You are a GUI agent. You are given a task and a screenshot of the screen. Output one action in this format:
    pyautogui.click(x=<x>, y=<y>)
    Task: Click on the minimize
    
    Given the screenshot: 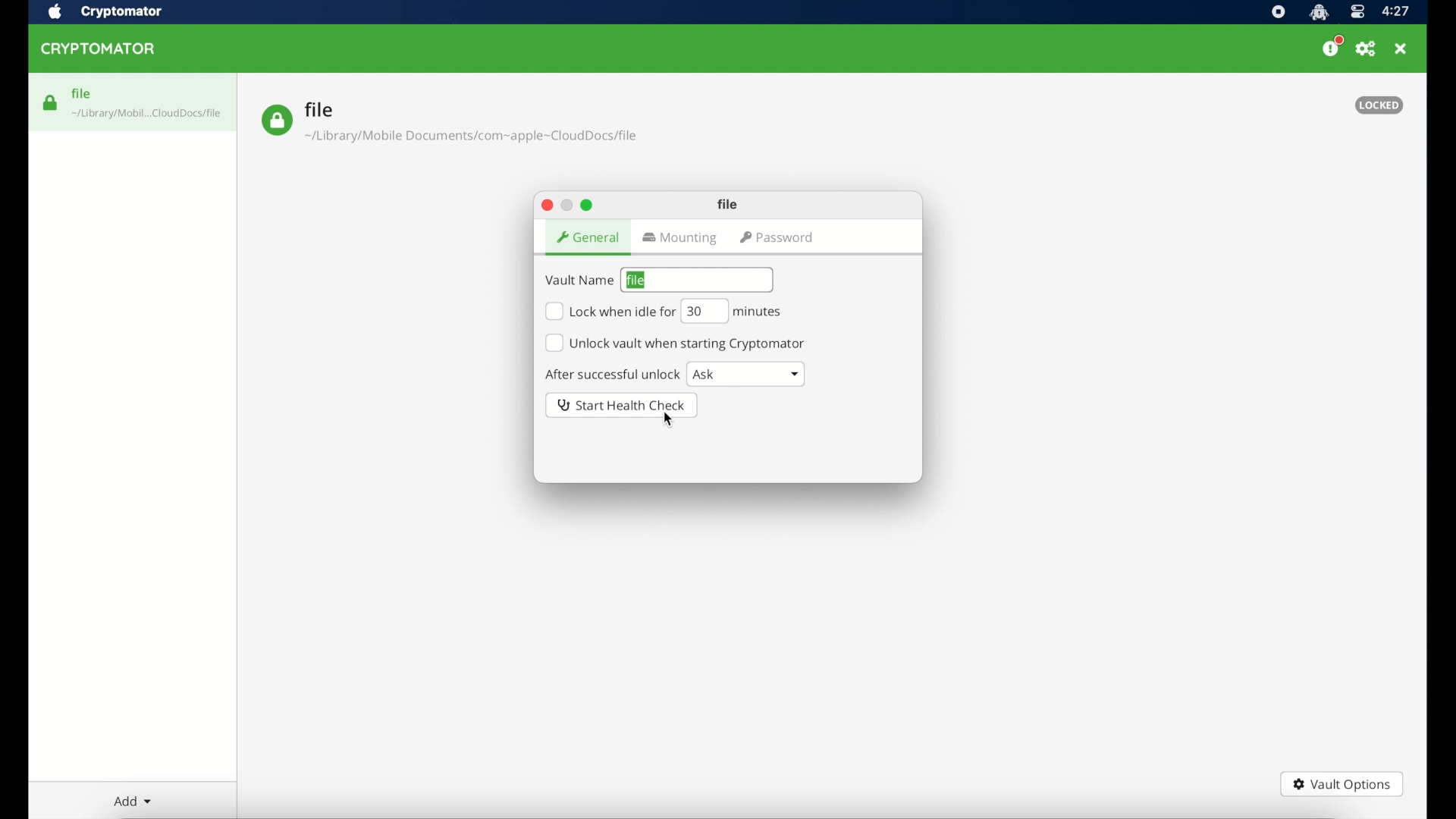 What is the action you would take?
    pyautogui.click(x=568, y=204)
    